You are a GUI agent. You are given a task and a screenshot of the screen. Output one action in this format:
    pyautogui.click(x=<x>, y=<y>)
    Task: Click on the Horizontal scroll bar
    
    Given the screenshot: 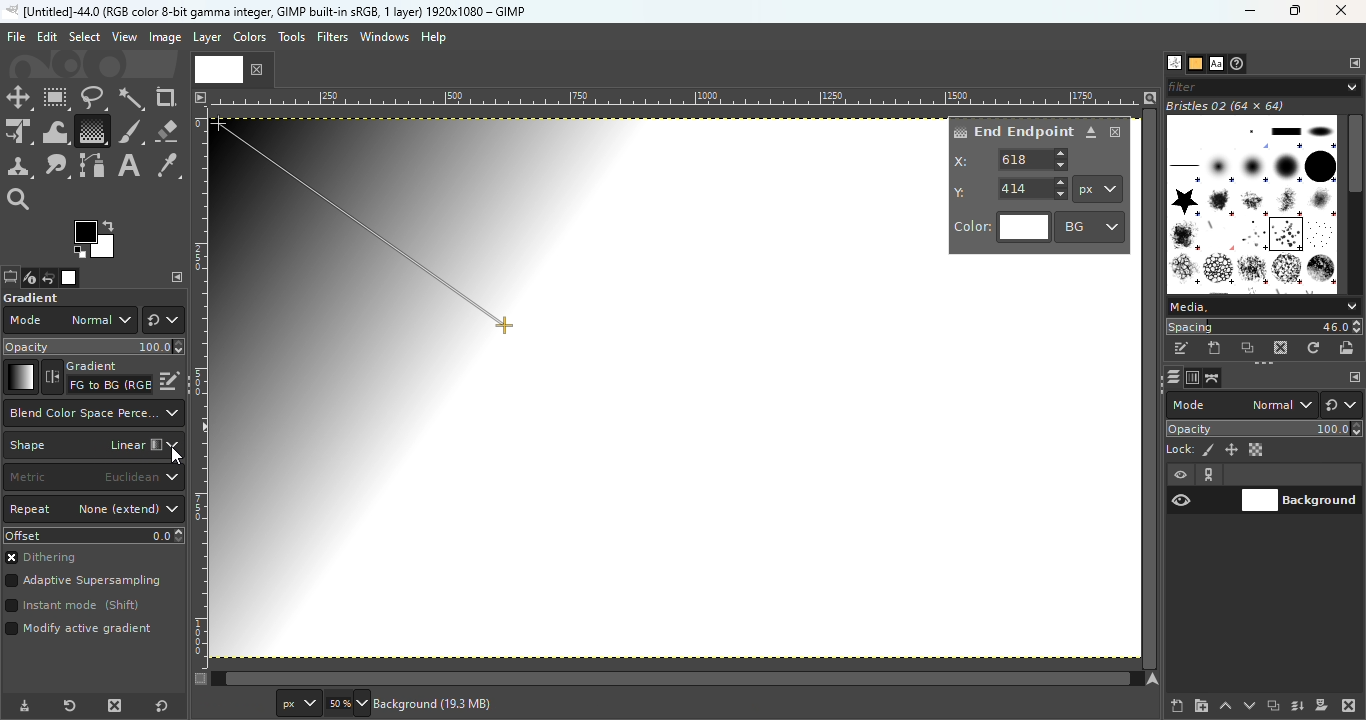 What is the action you would take?
    pyautogui.click(x=1152, y=389)
    